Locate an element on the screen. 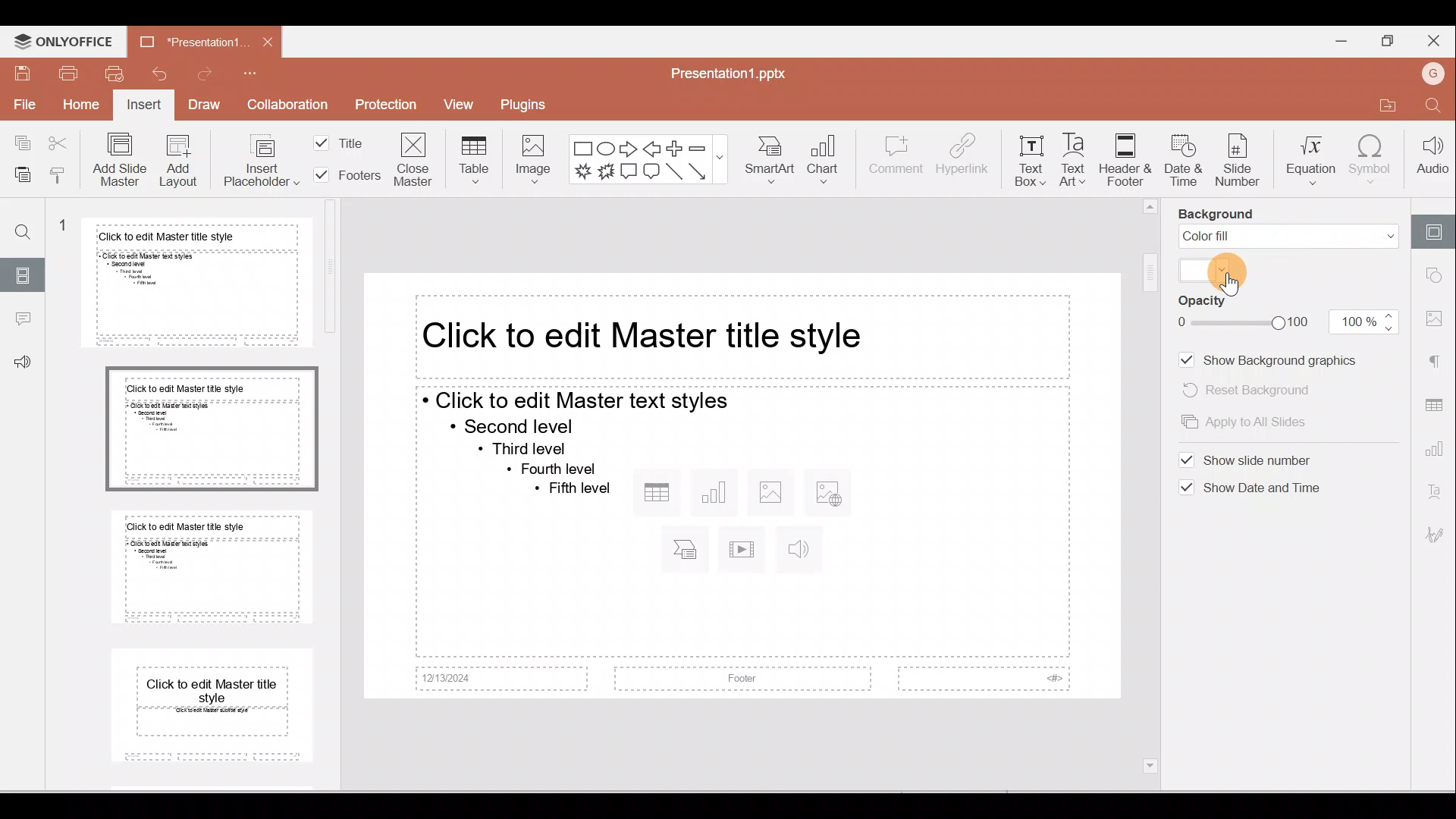 Image resolution: width=1456 pixels, height=819 pixels. SmartArt is located at coordinates (772, 158).